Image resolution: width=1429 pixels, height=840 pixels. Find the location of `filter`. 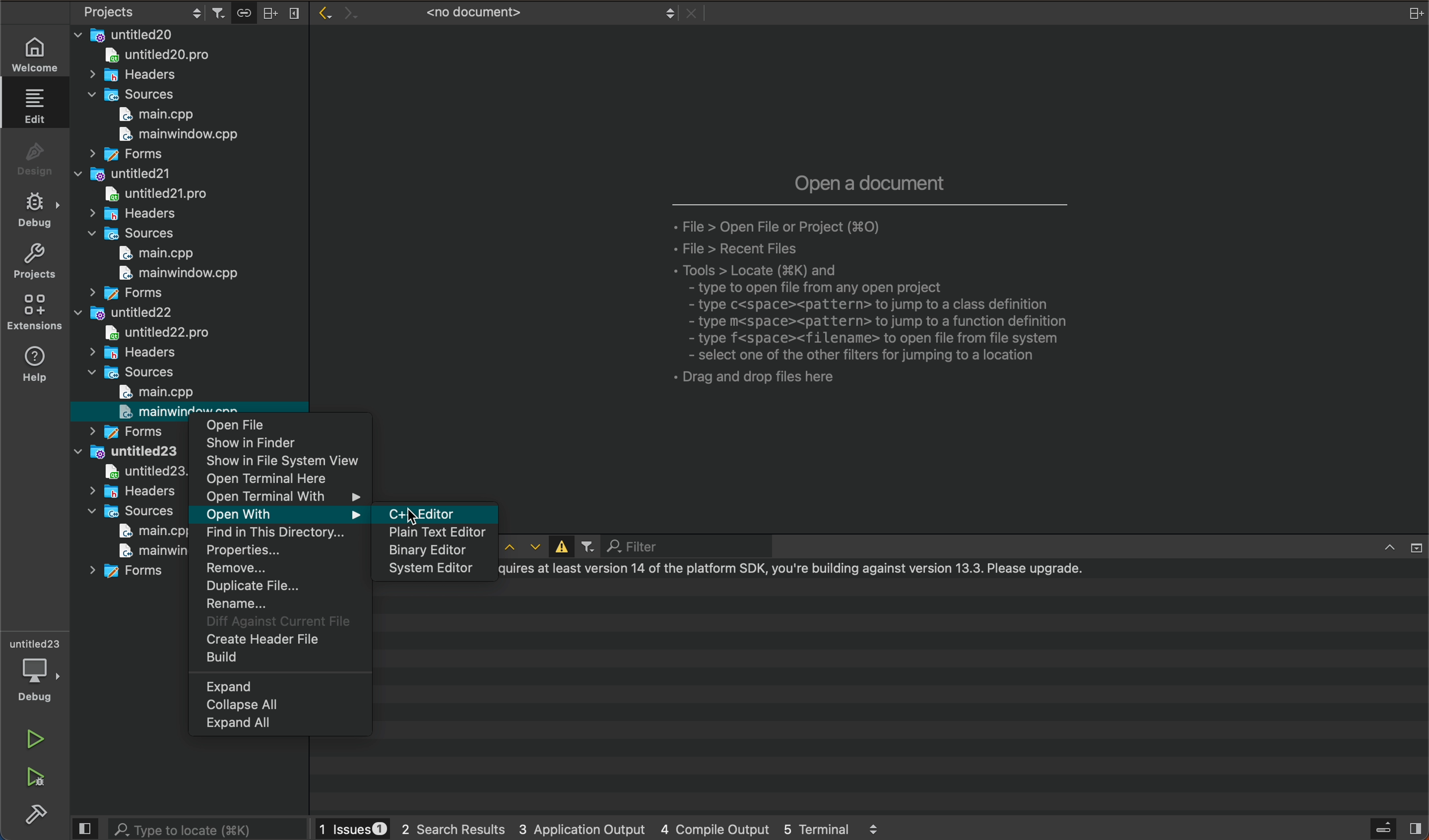

filter is located at coordinates (664, 546).